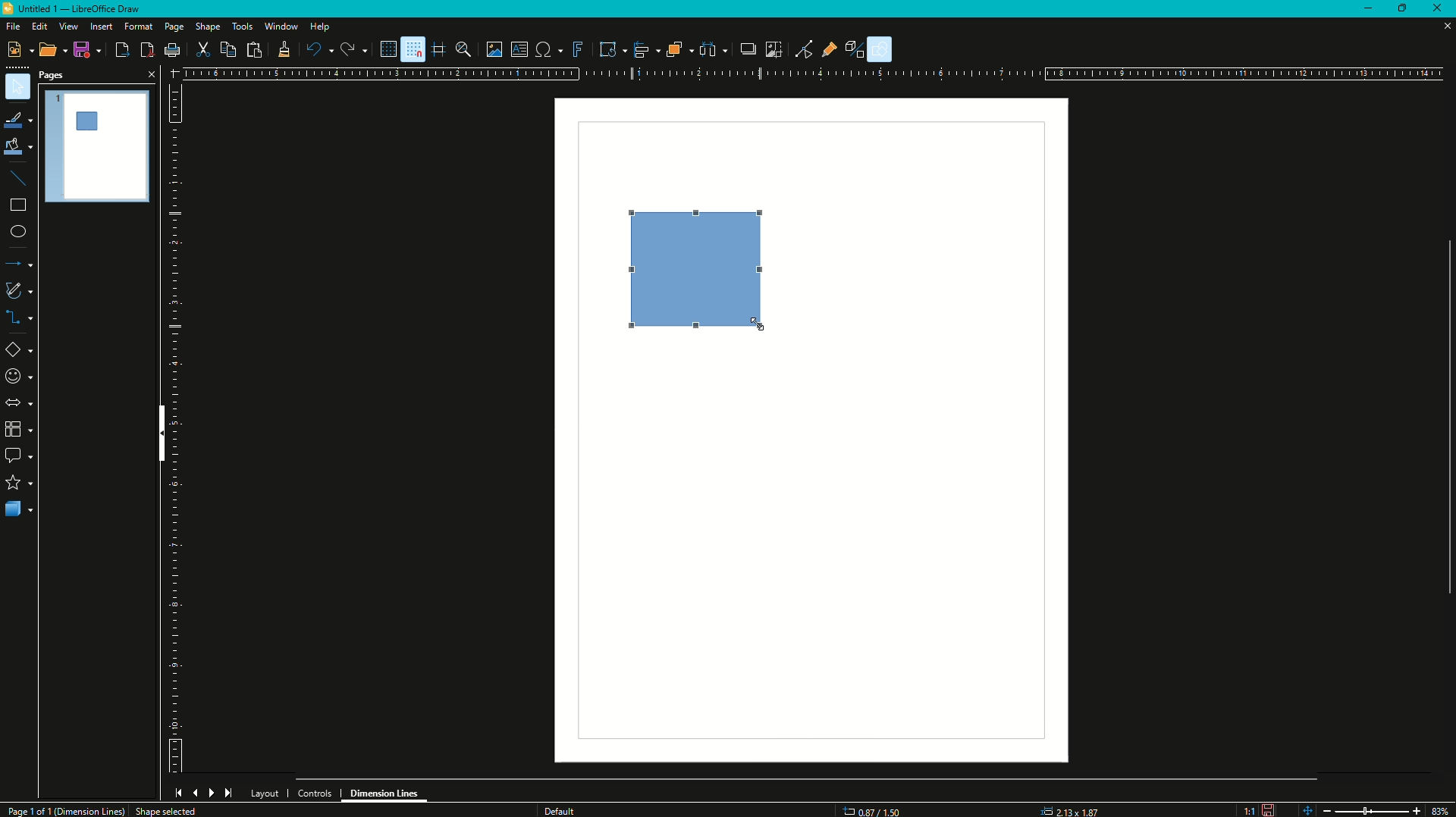 Image resolution: width=1456 pixels, height=817 pixels. Describe the element at coordinates (146, 50) in the screenshot. I see `Export Directly as PDF` at that location.